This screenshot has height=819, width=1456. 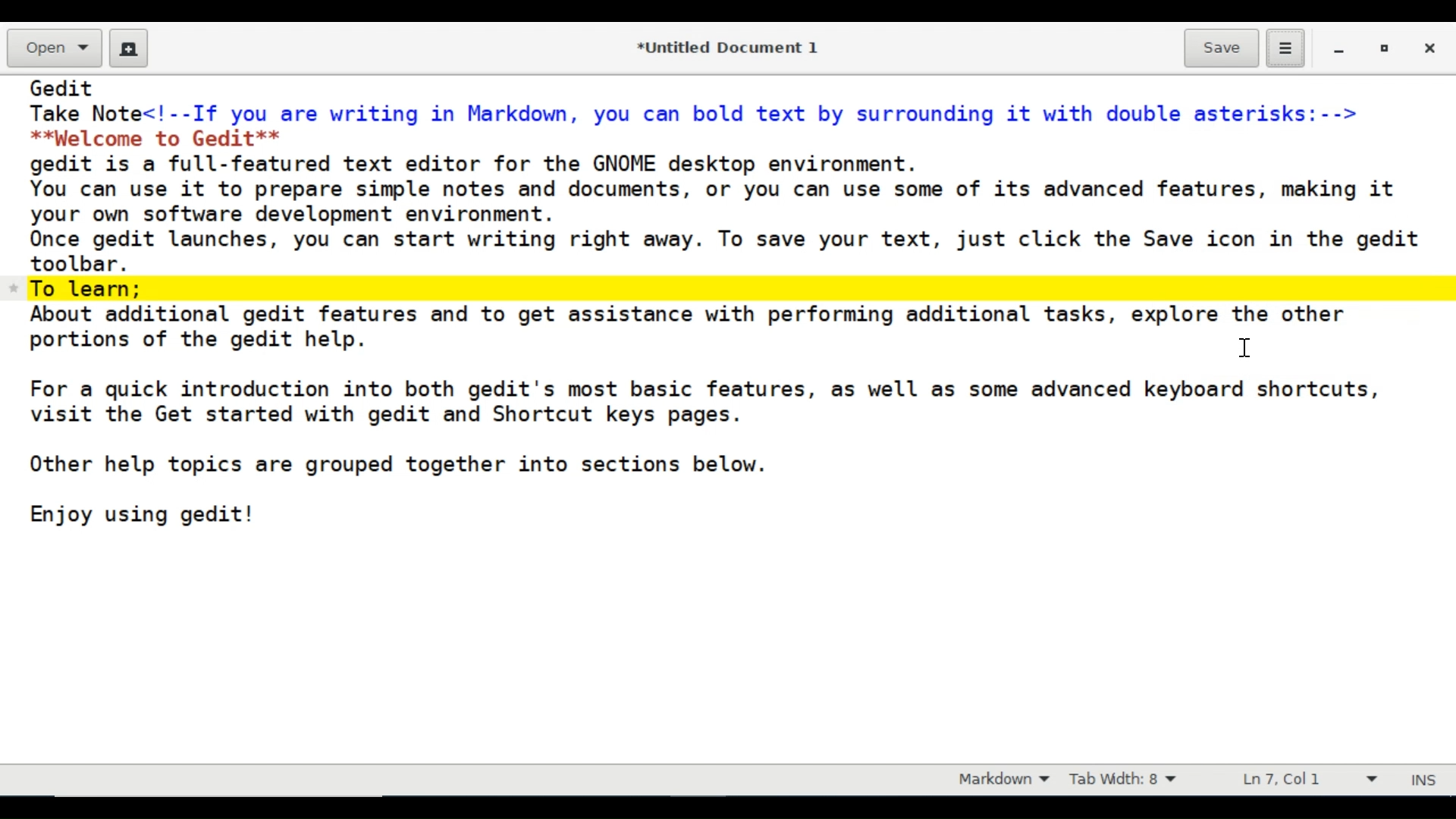 I want to click on For a quick introduction into both gedit's most basic features, as well as some advanced keyboard shortcuts,
visit the Get started with gedit and Shortcut keys pages., so click(x=705, y=402).